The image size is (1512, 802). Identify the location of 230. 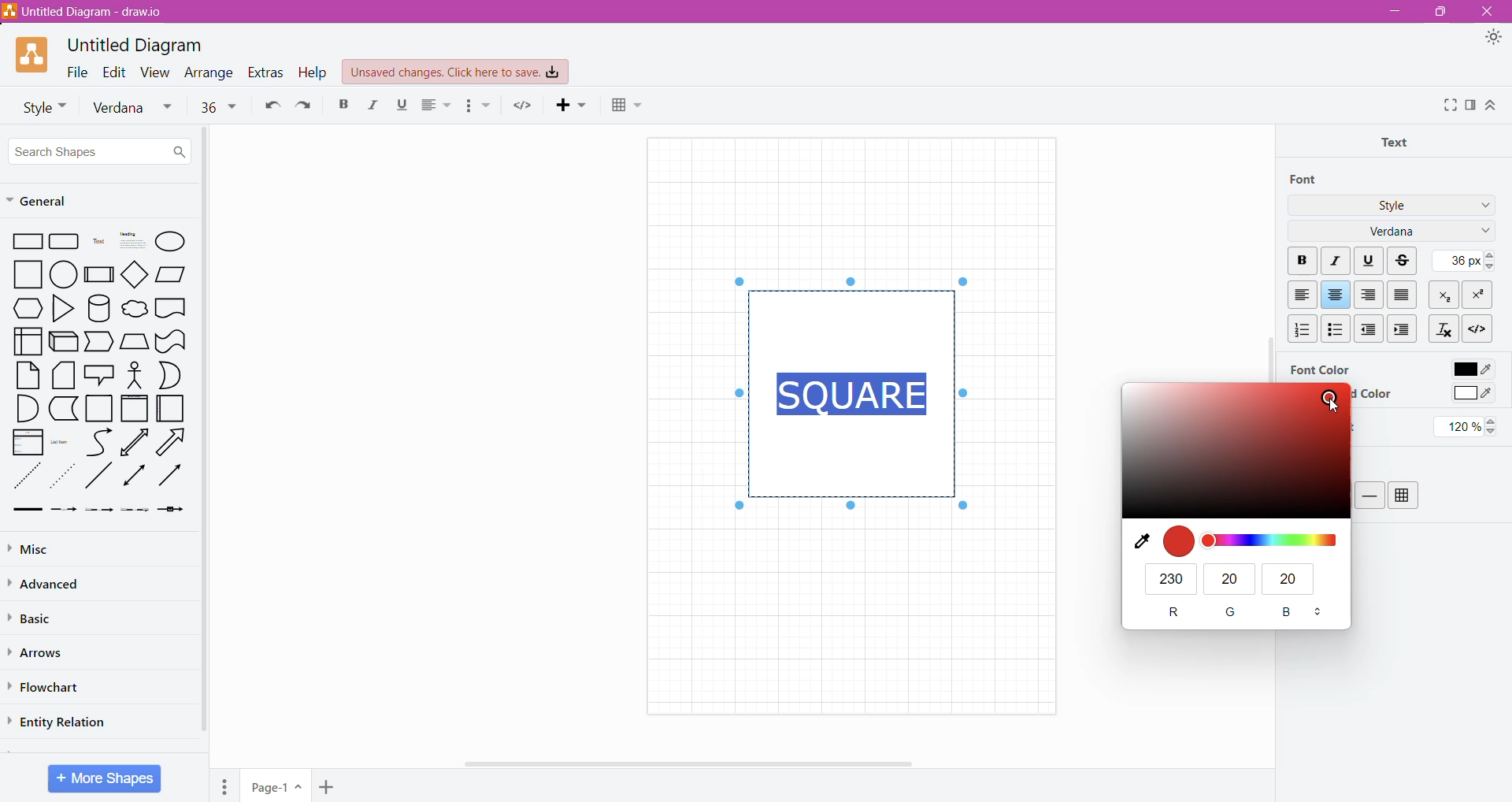
(1172, 578).